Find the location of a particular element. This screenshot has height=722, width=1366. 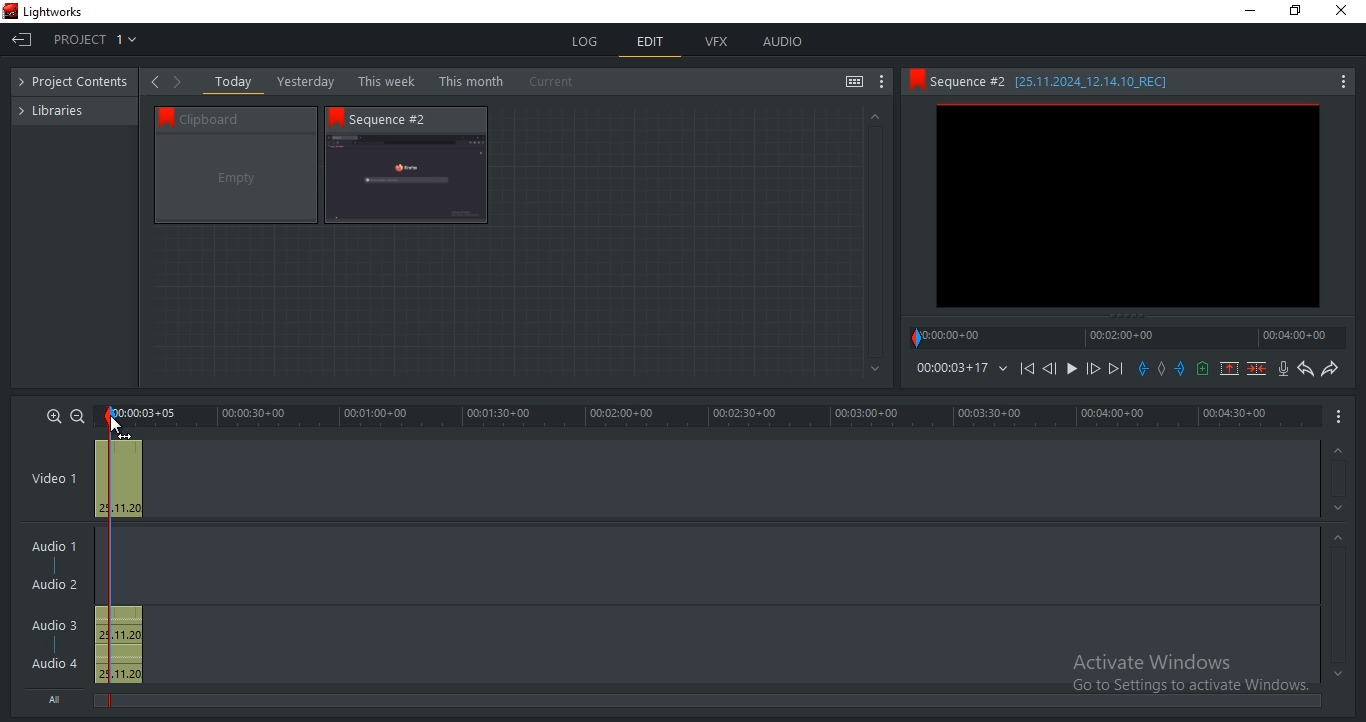

Bookmark icon is located at coordinates (336, 117).